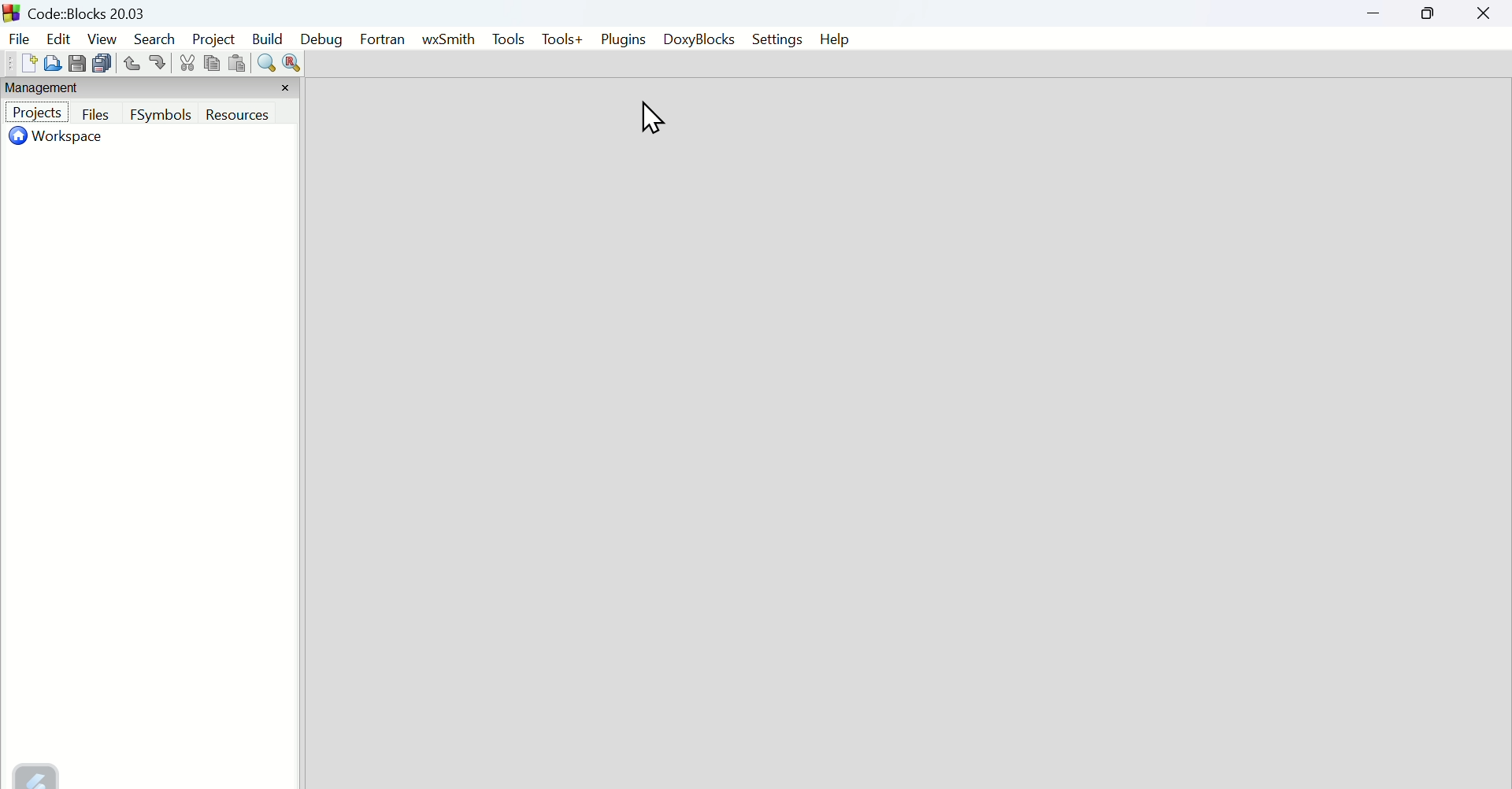 This screenshot has height=789, width=1512. Describe the element at coordinates (159, 61) in the screenshot. I see `Redo` at that location.